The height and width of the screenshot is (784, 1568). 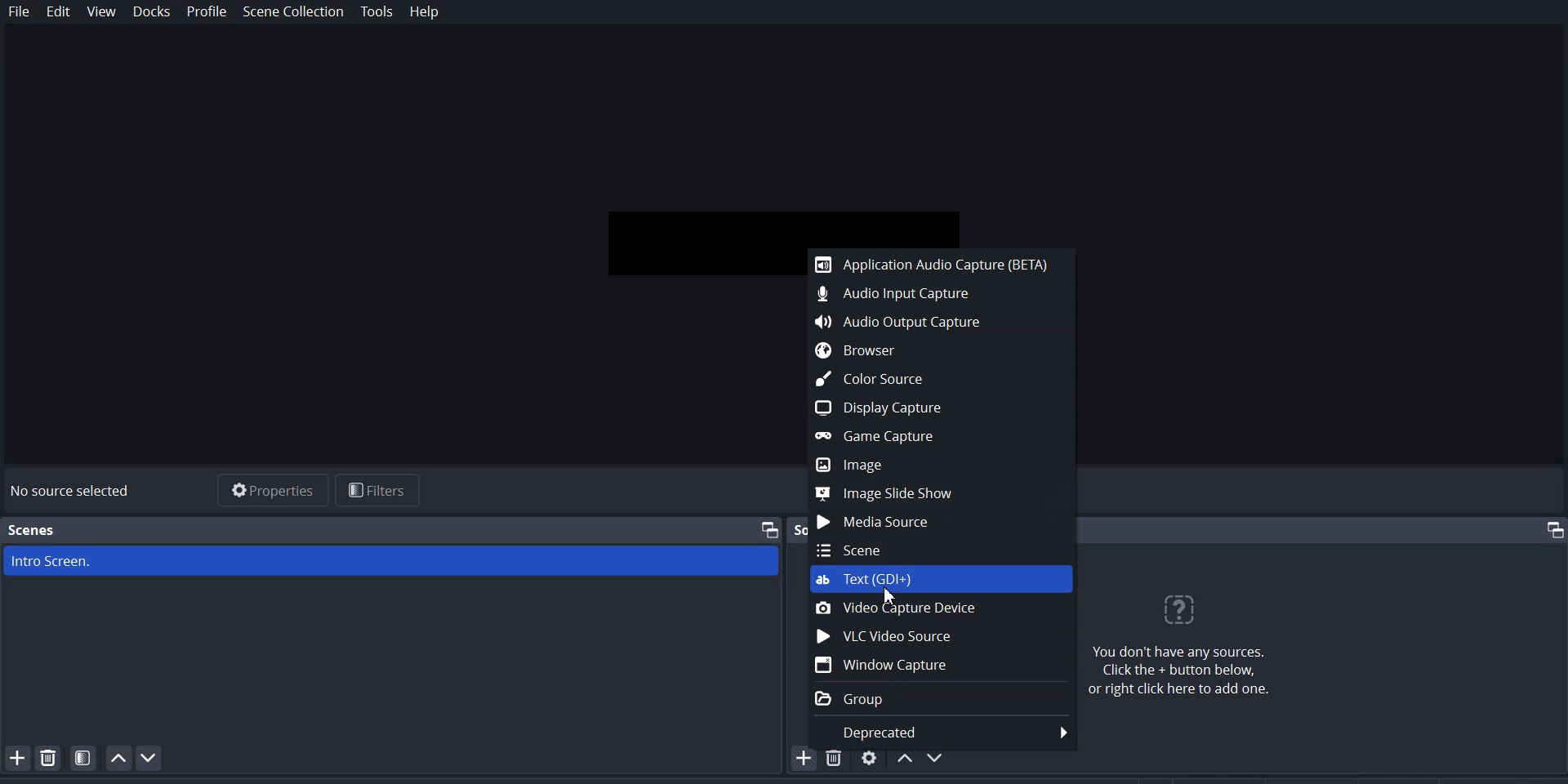 I want to click on Open Scene Filter, so click(x=83, y=757).